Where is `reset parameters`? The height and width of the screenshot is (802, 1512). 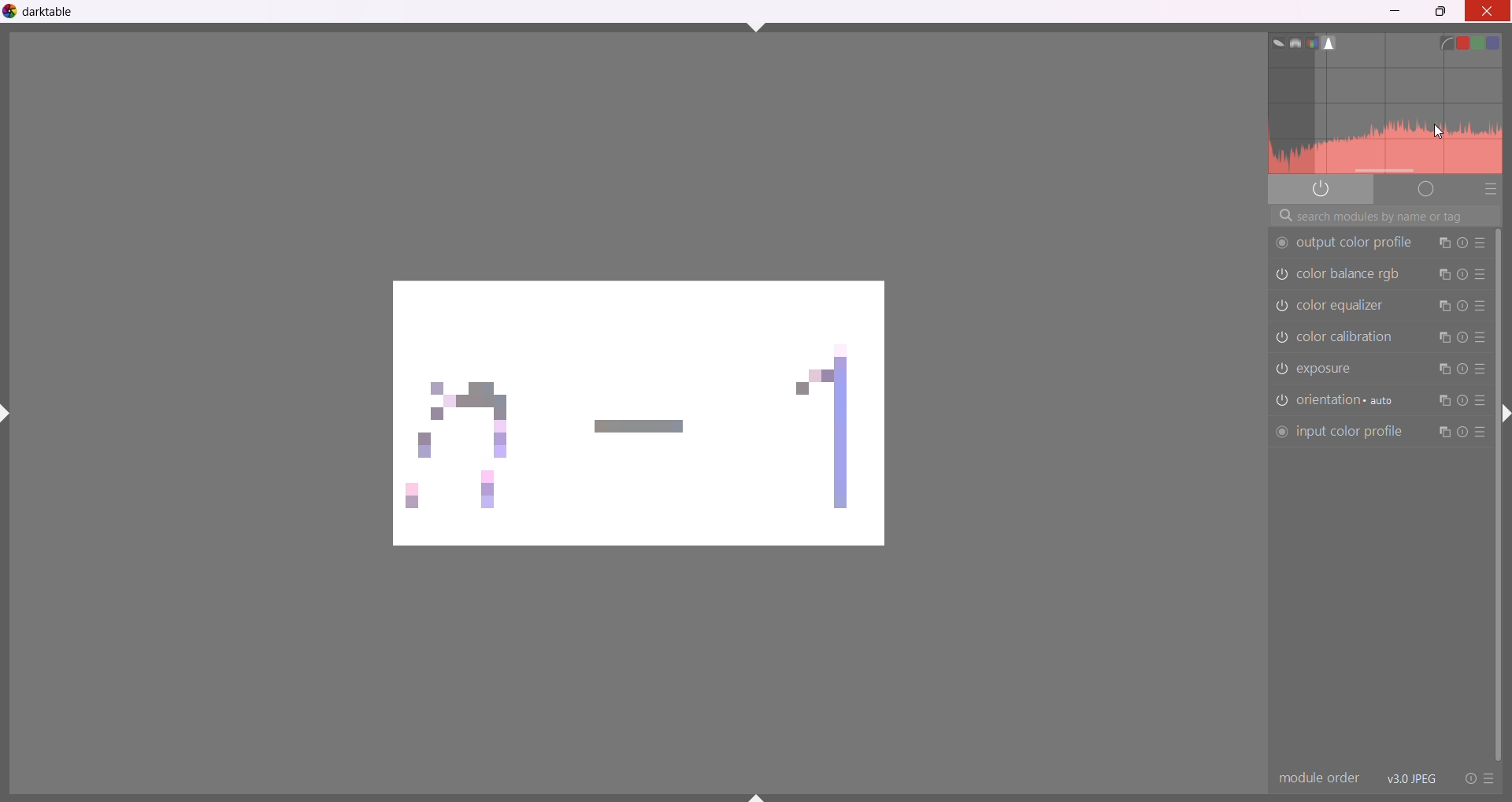 reset parameters is located at coordinates (1462, 304).